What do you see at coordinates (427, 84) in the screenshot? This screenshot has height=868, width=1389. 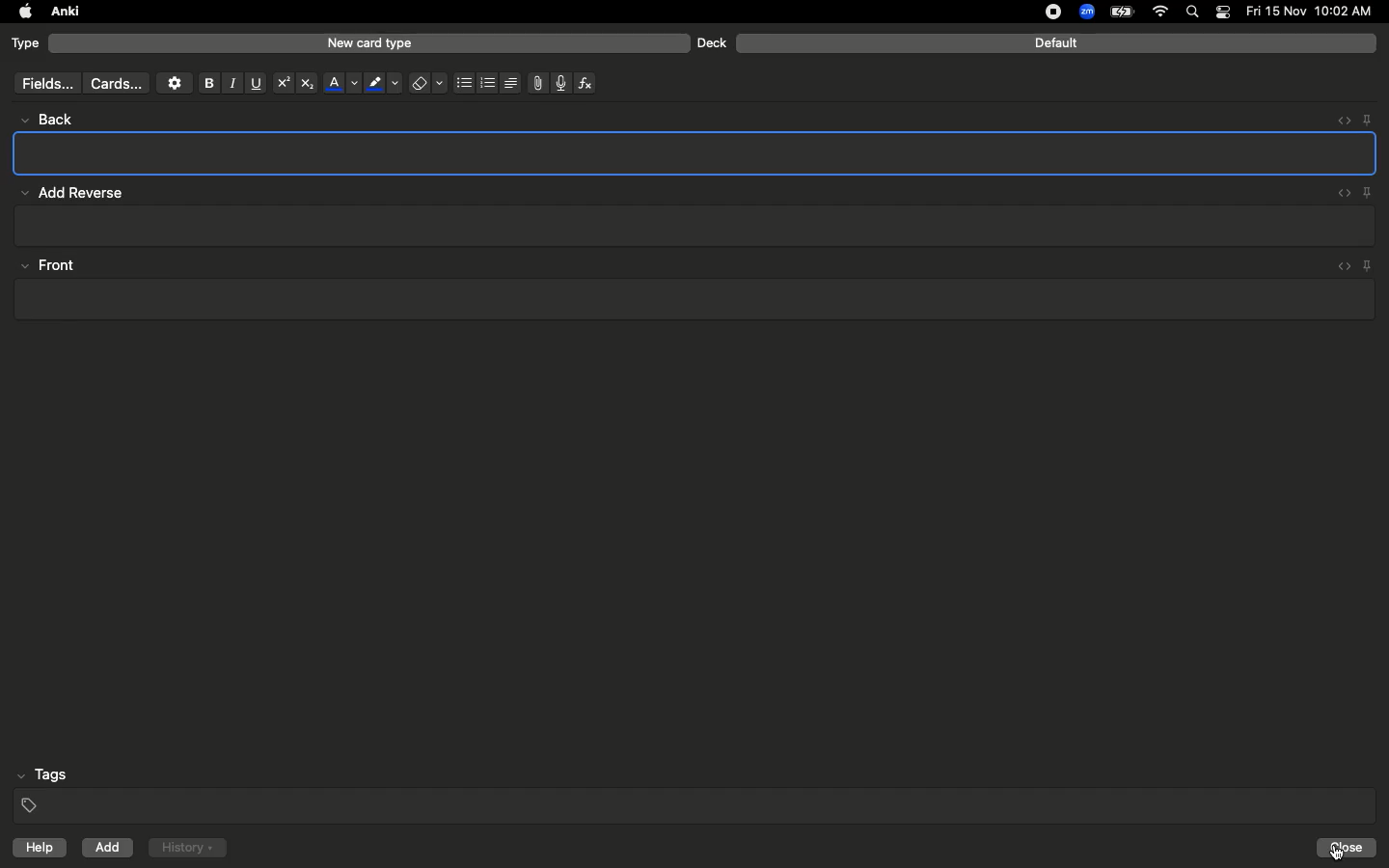 I see `Eraser` at bounding box center [427, 84].